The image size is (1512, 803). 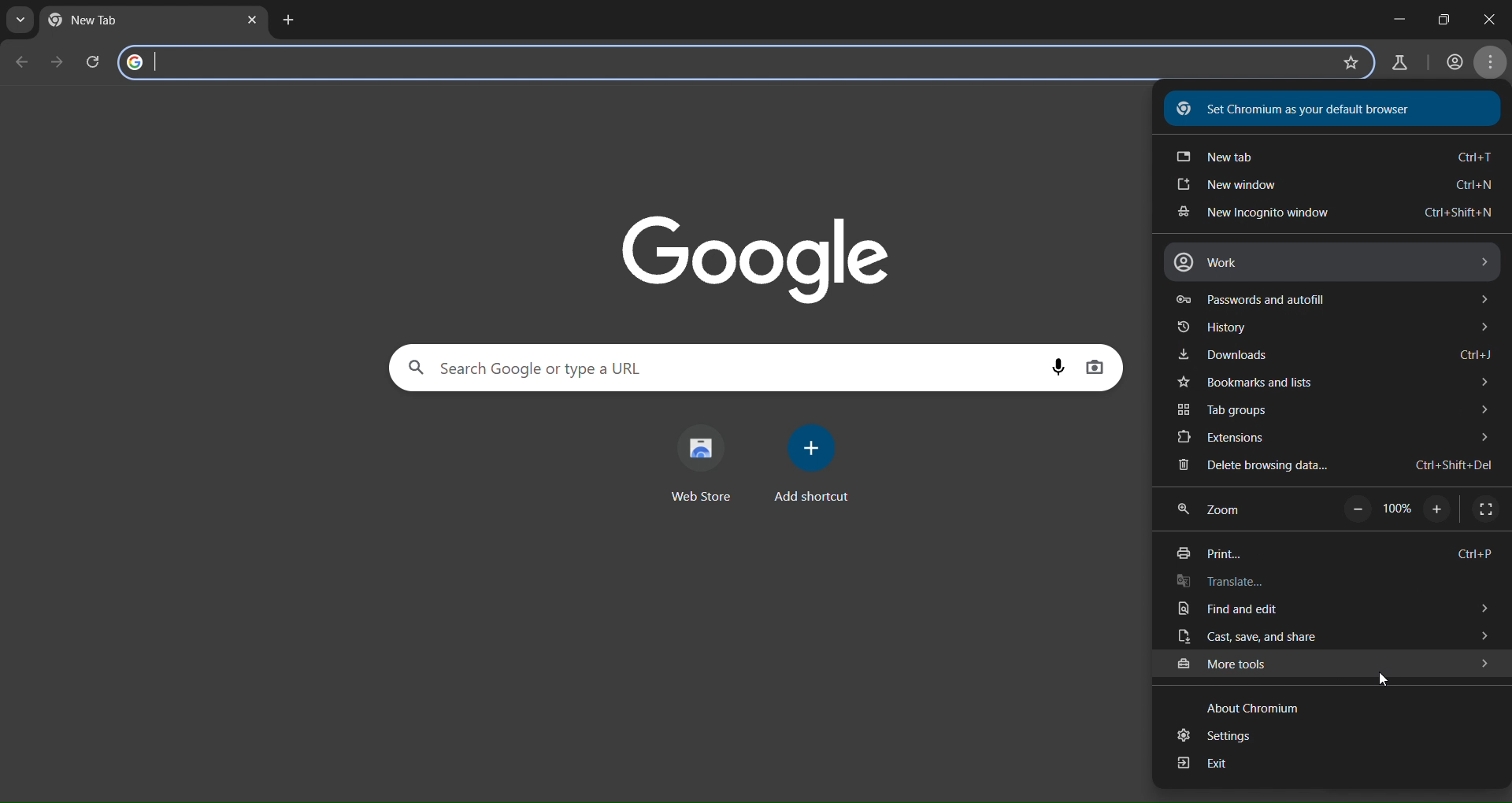 What do you see at coordinates (57, 63) in the screenshot?
I see `go forward one page` at bounding box center [57, 63].